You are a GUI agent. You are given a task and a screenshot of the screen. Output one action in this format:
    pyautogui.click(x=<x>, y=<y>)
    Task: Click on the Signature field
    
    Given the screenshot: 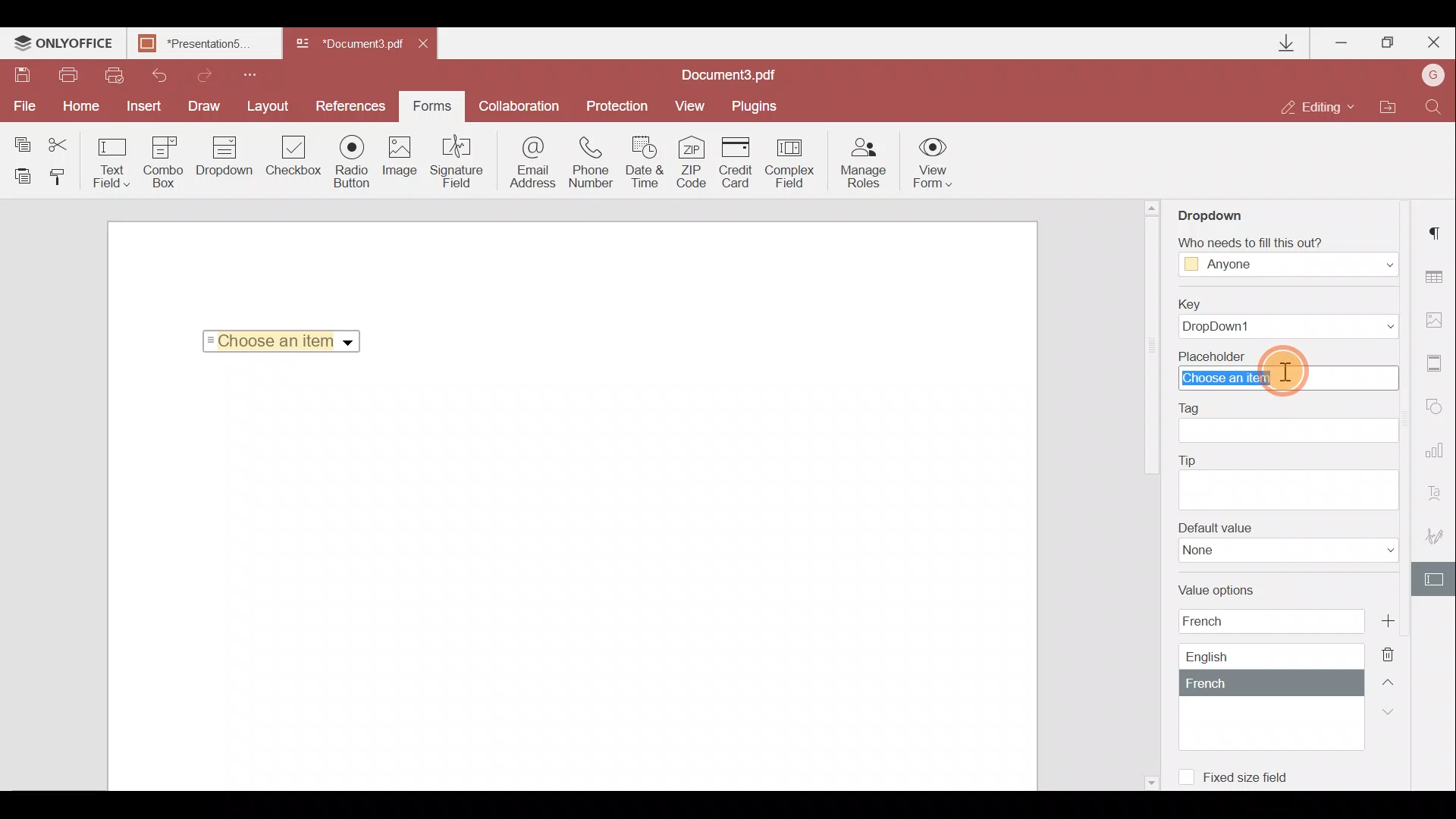 What is the action you would take?
    pyautogui.click(x=453, y=161)
    